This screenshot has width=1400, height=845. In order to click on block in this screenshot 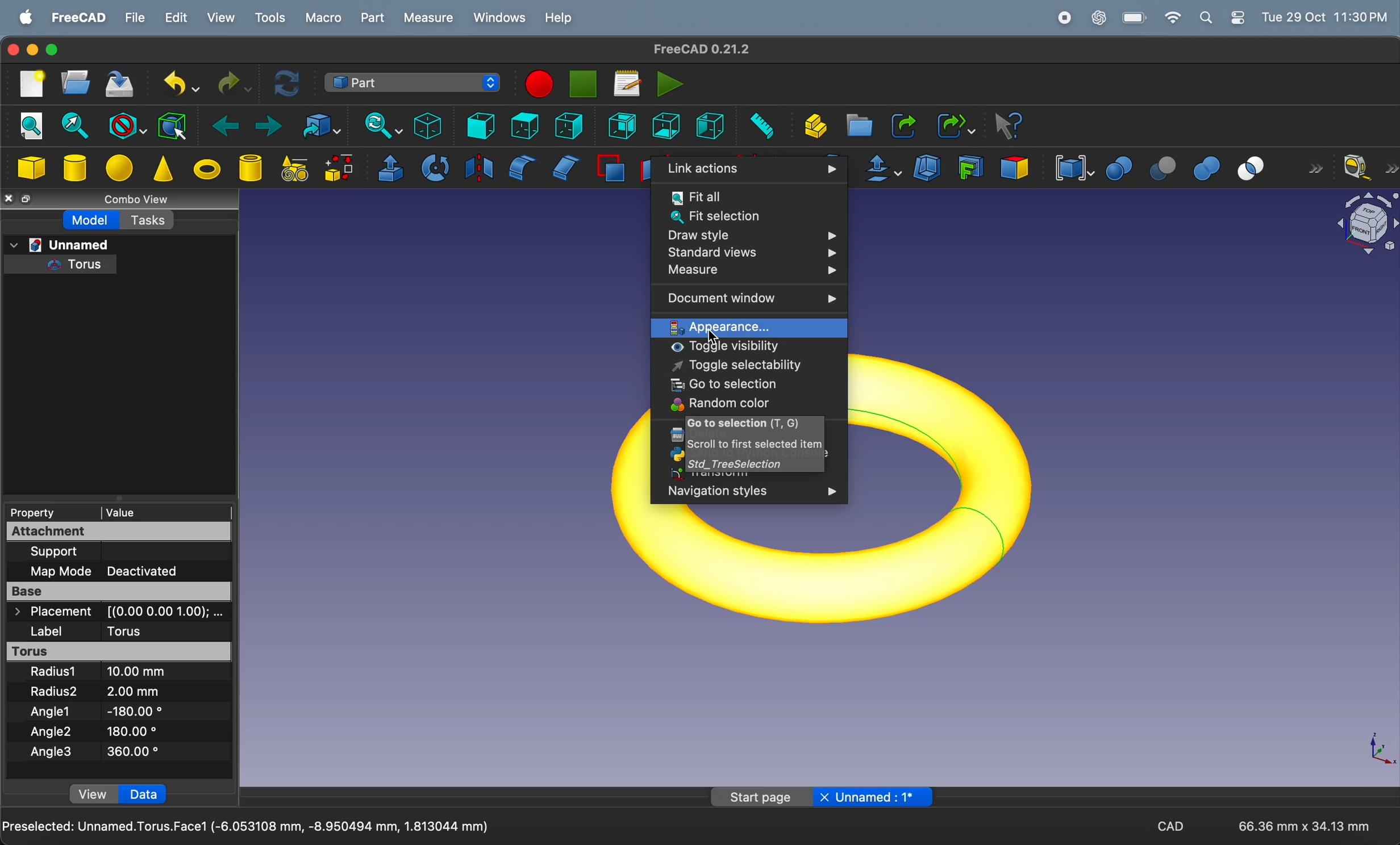, I will do `click(124, 123)`.